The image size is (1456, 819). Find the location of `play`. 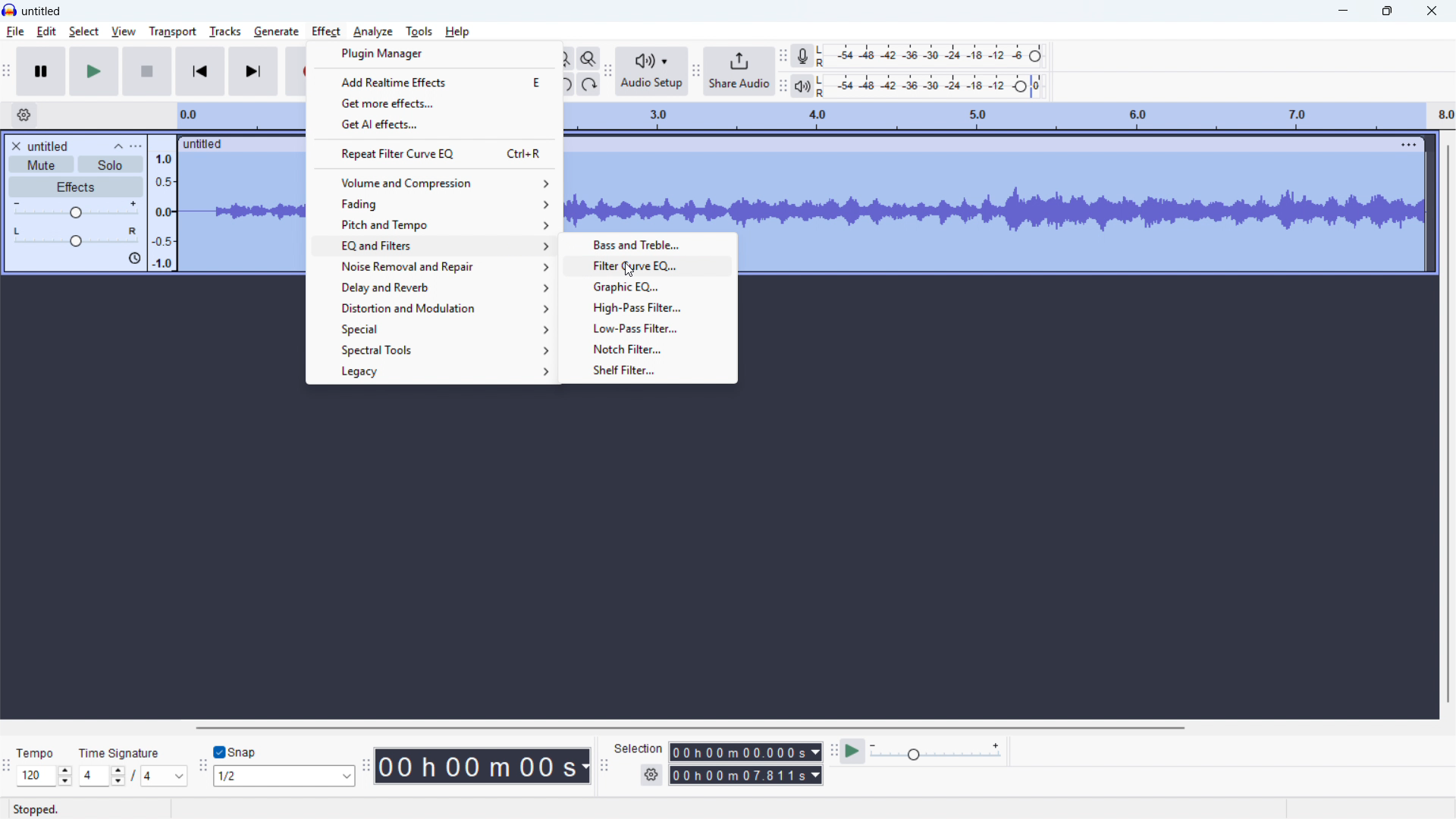

play is located at coordinates (94, 72).